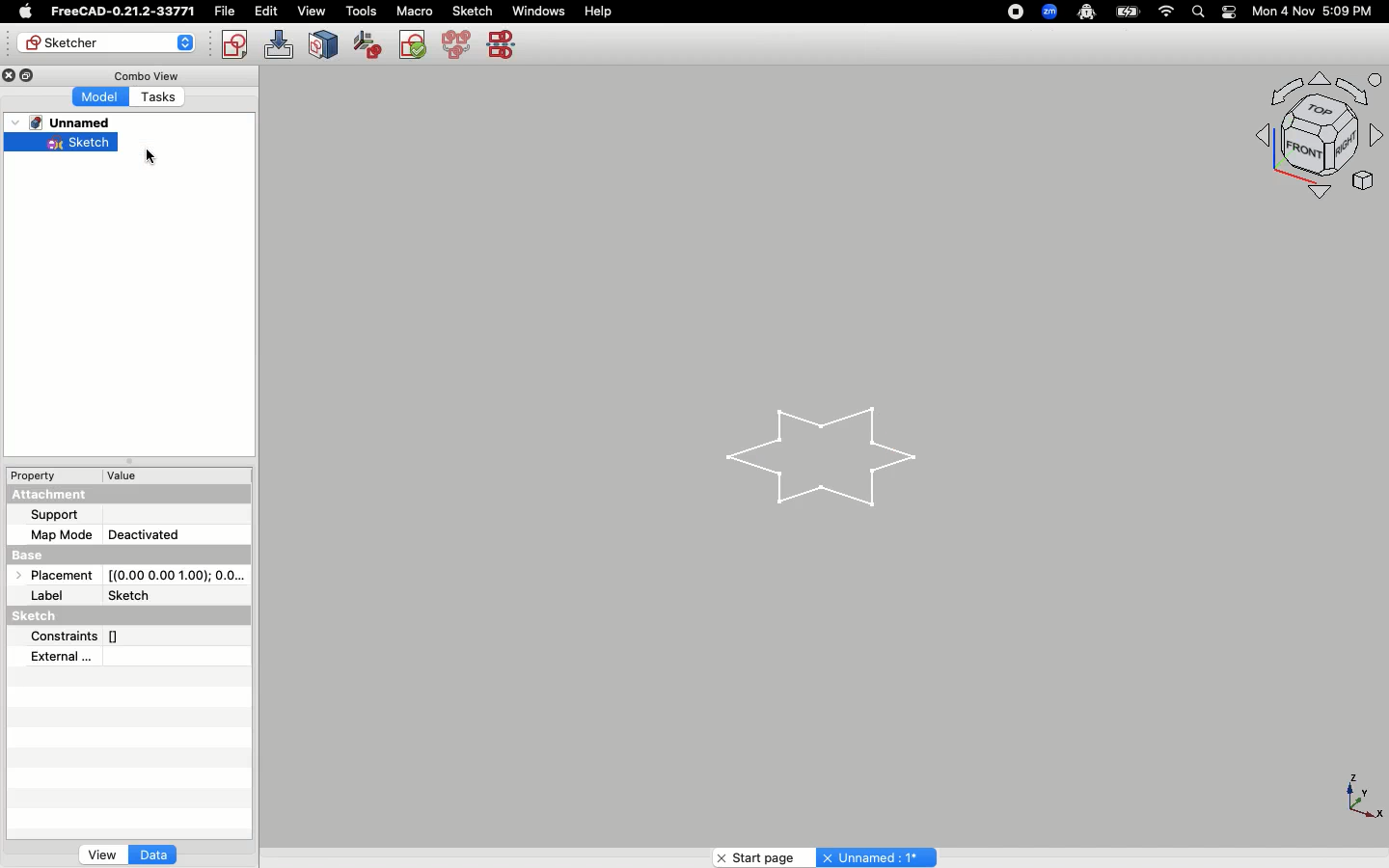 The height and width of the screenshot is (868, 1389). I want to click on Coordinates, so click(173, 575).